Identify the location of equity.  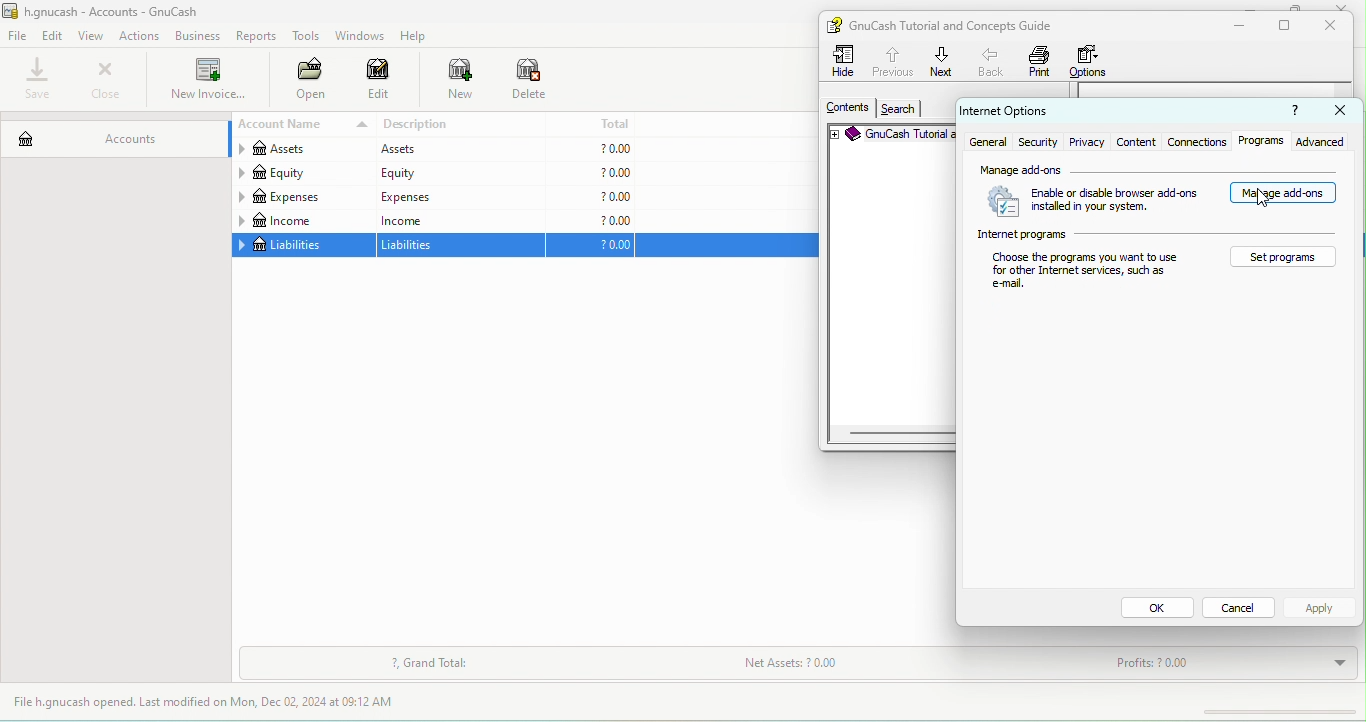
(301, 174).